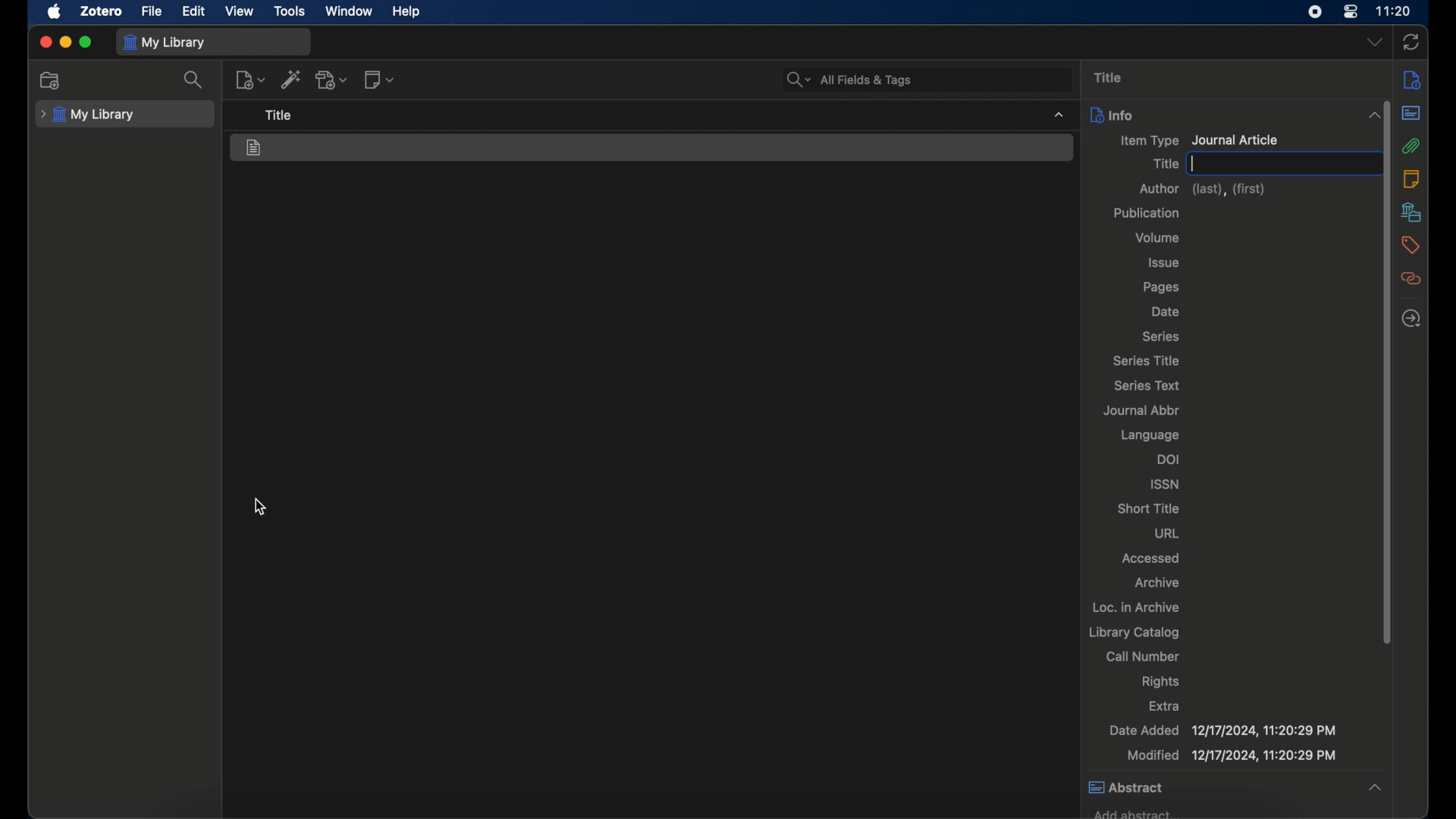 The image size is (1456, 819). What do you see at coordinates (249, 80) in the screenshot?
I see `new item` at bounding box center [249, 80].